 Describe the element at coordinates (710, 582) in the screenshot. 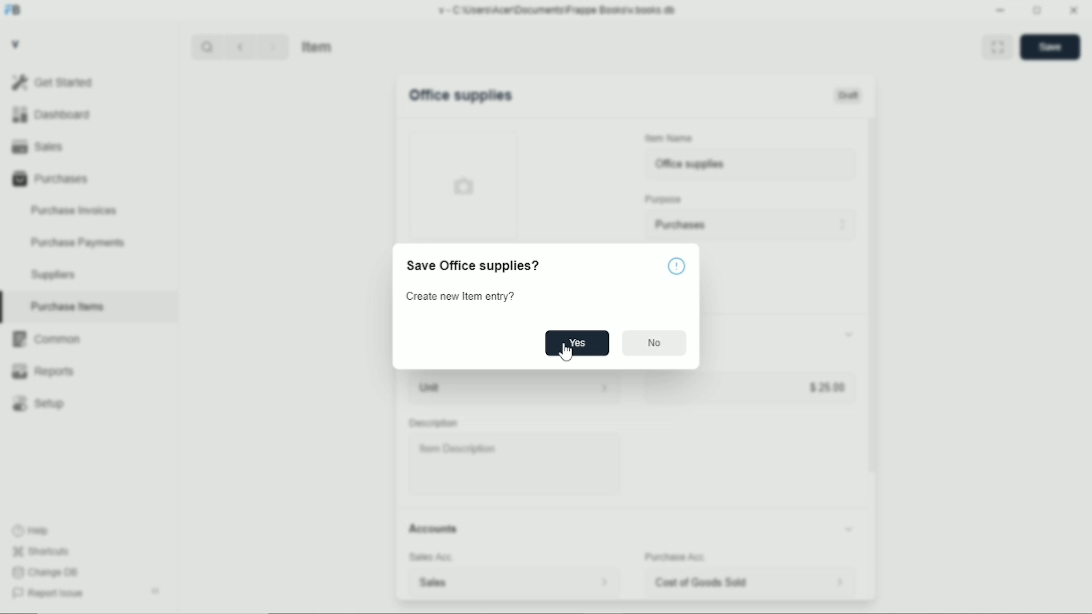

I see `cost of goods sold` at that location.